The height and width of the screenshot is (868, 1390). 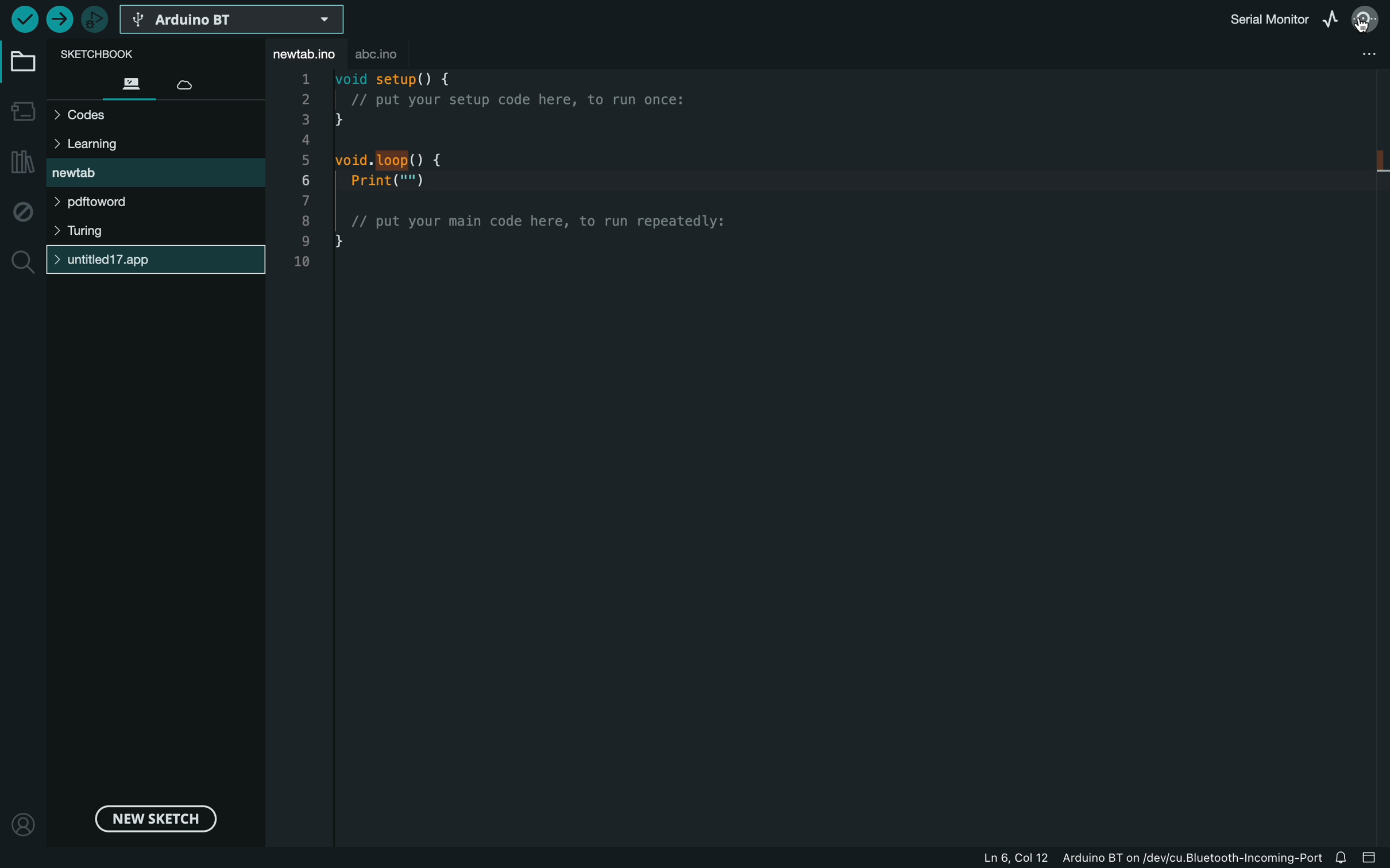 I want to click on verify, so click(x=24, y=20).